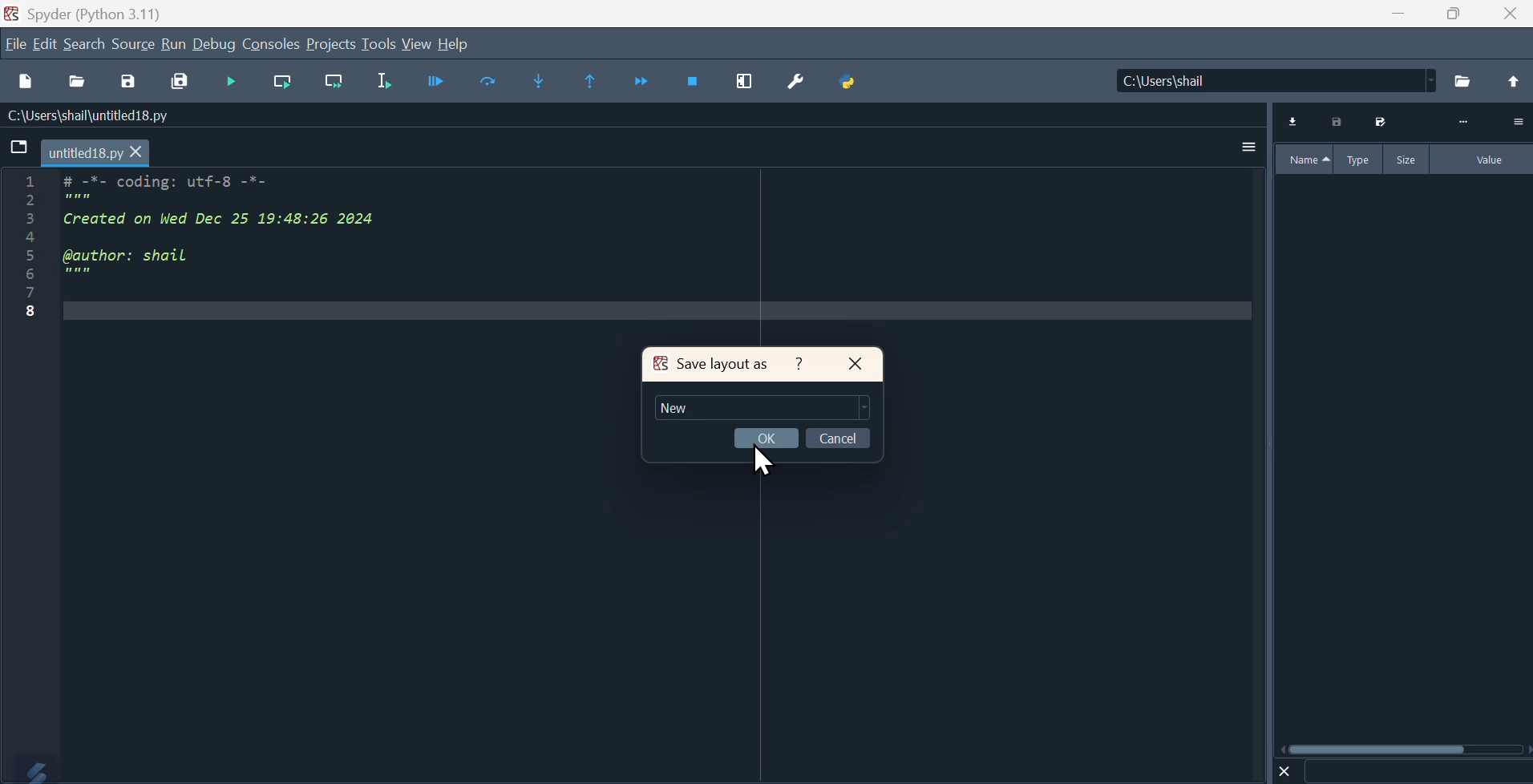  Describe the element at coordinates (15, 43) in the screenshot. I see `File` at that location.